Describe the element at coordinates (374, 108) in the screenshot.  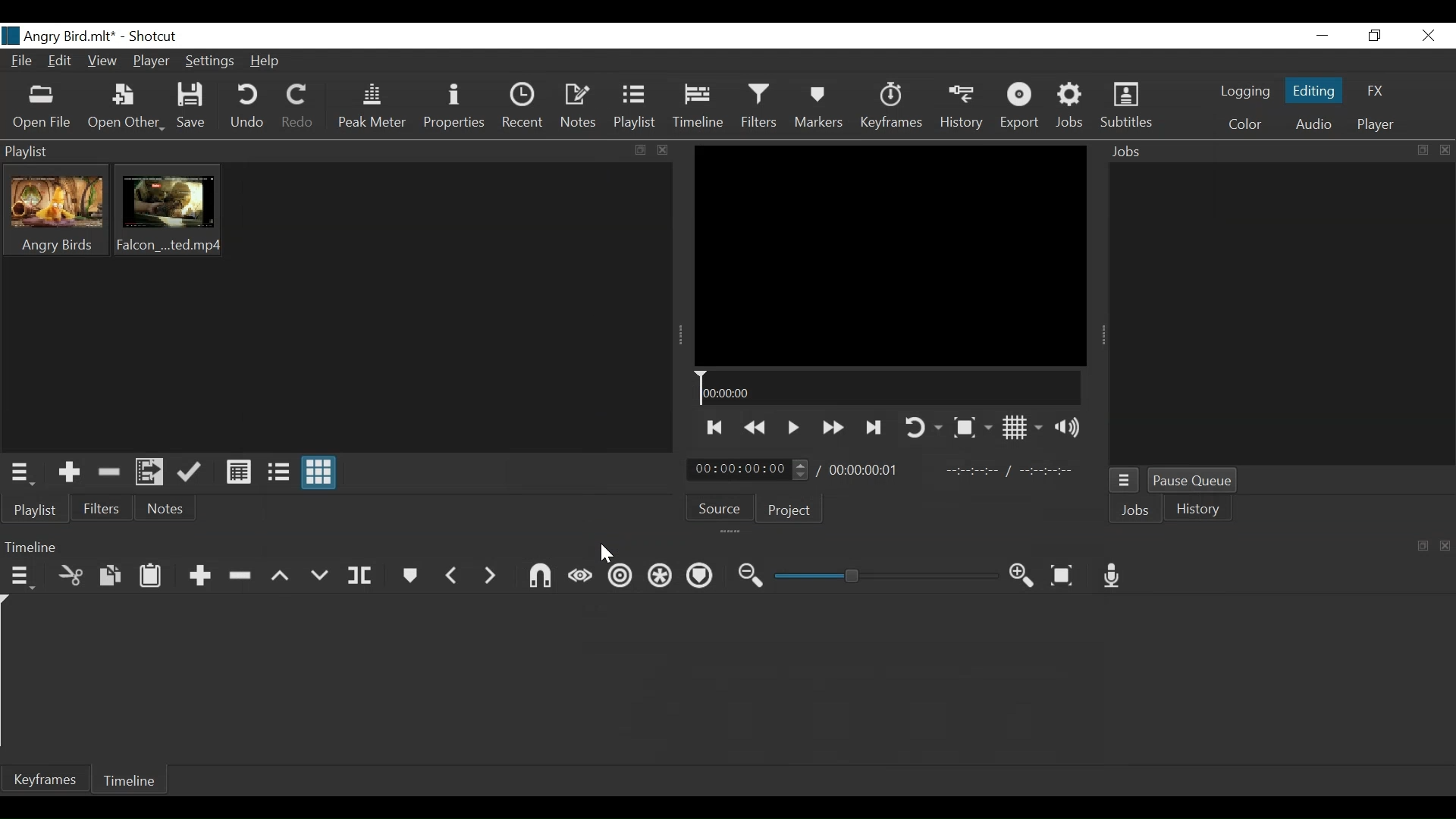
I see `Peak Meter` at that location.